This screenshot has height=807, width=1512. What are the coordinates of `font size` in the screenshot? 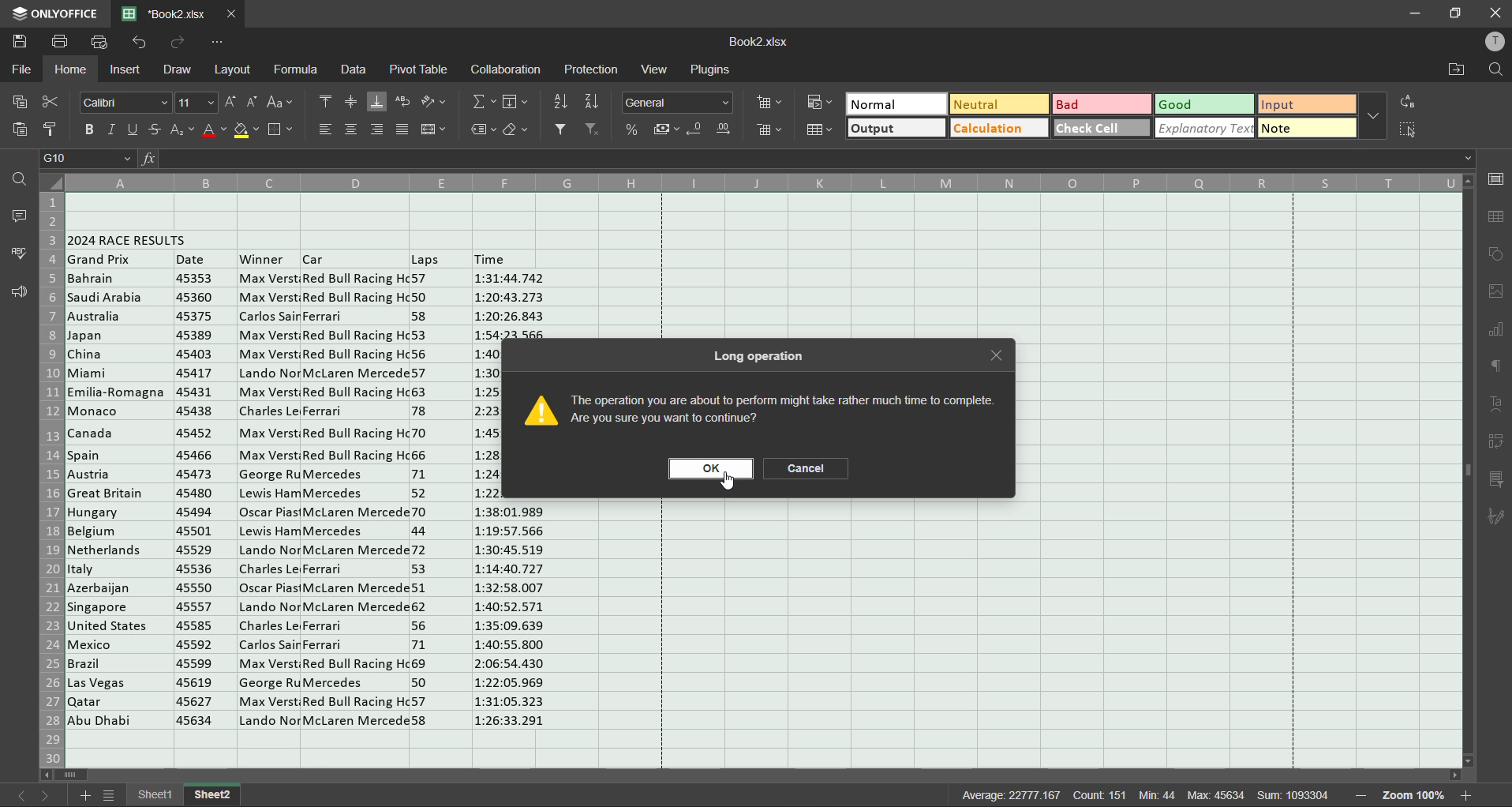 It's located at (194, 101).